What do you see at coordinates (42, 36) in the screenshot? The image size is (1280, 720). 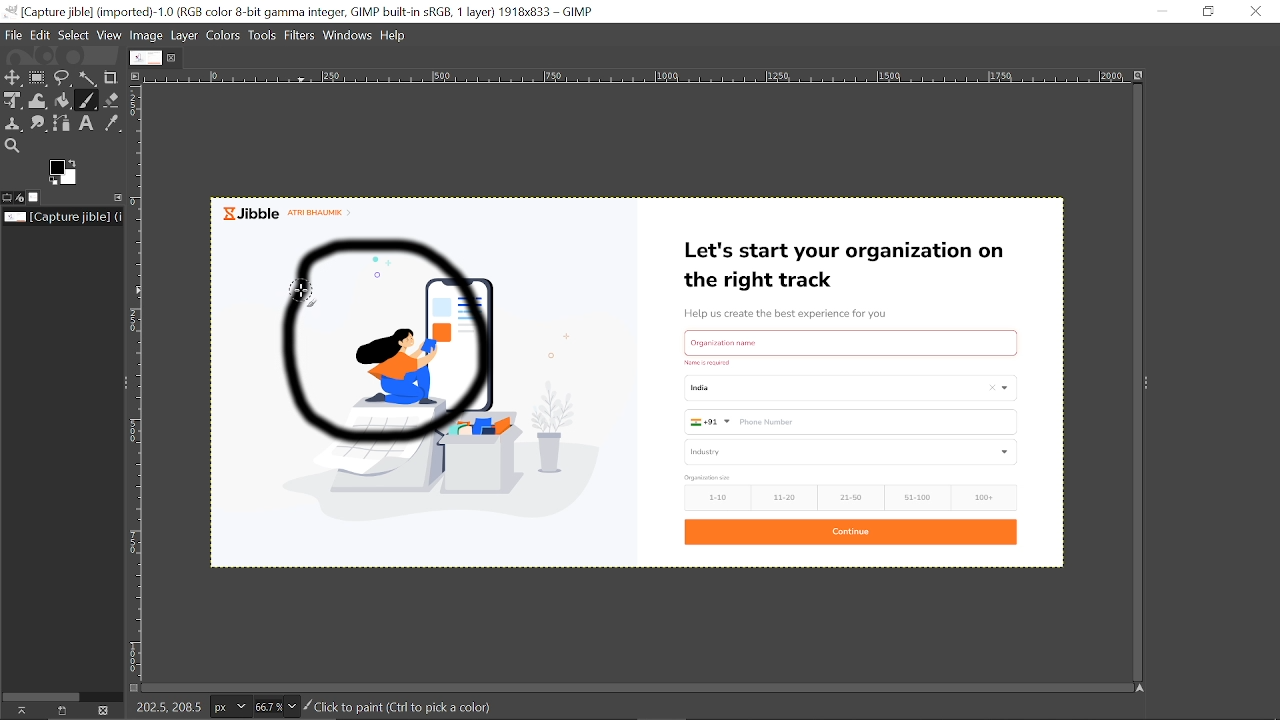 I see `Edit` at bounding box center [42, 36].